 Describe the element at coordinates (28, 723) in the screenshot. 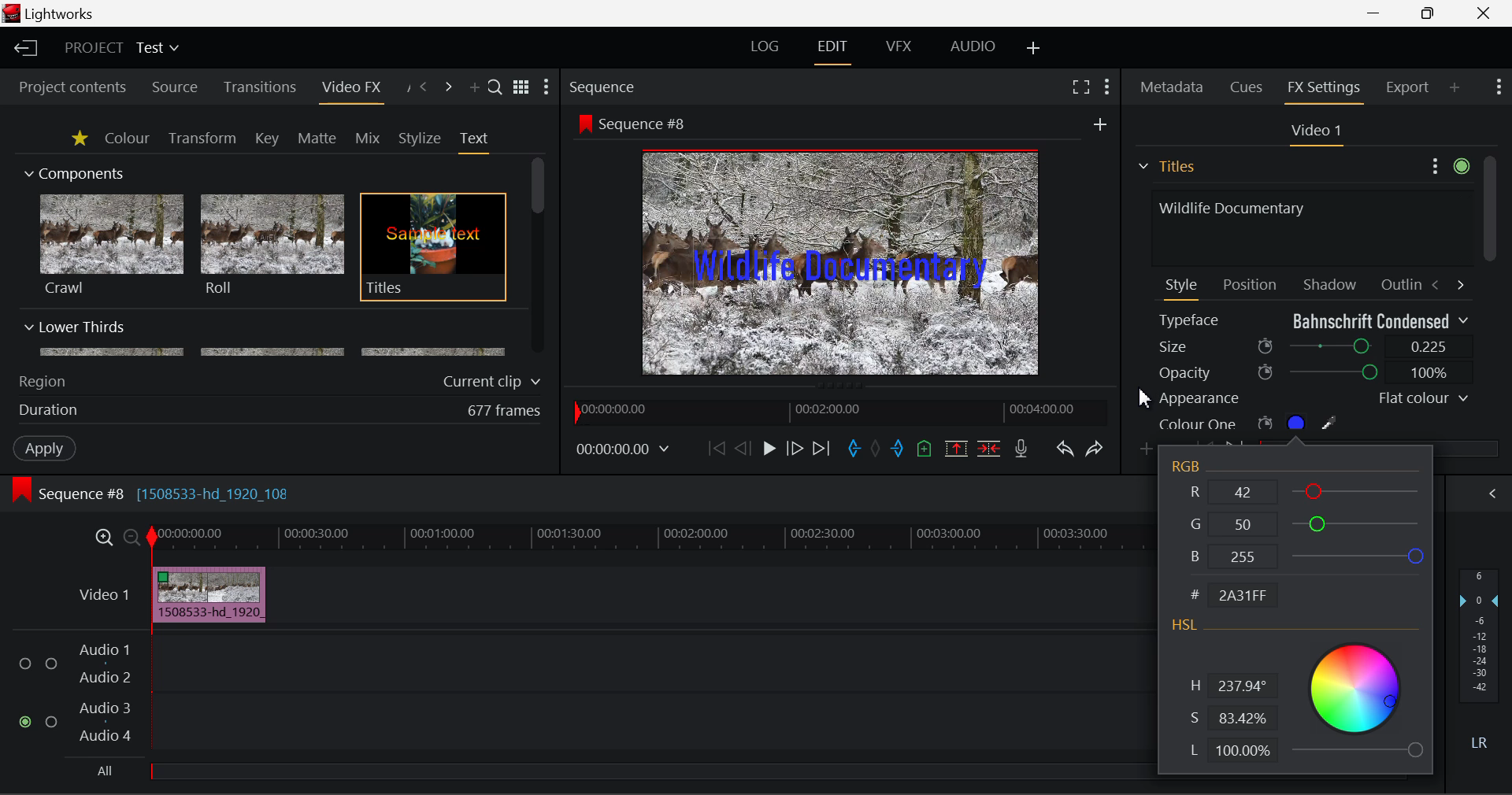

I see `checked checkbox` at that location.